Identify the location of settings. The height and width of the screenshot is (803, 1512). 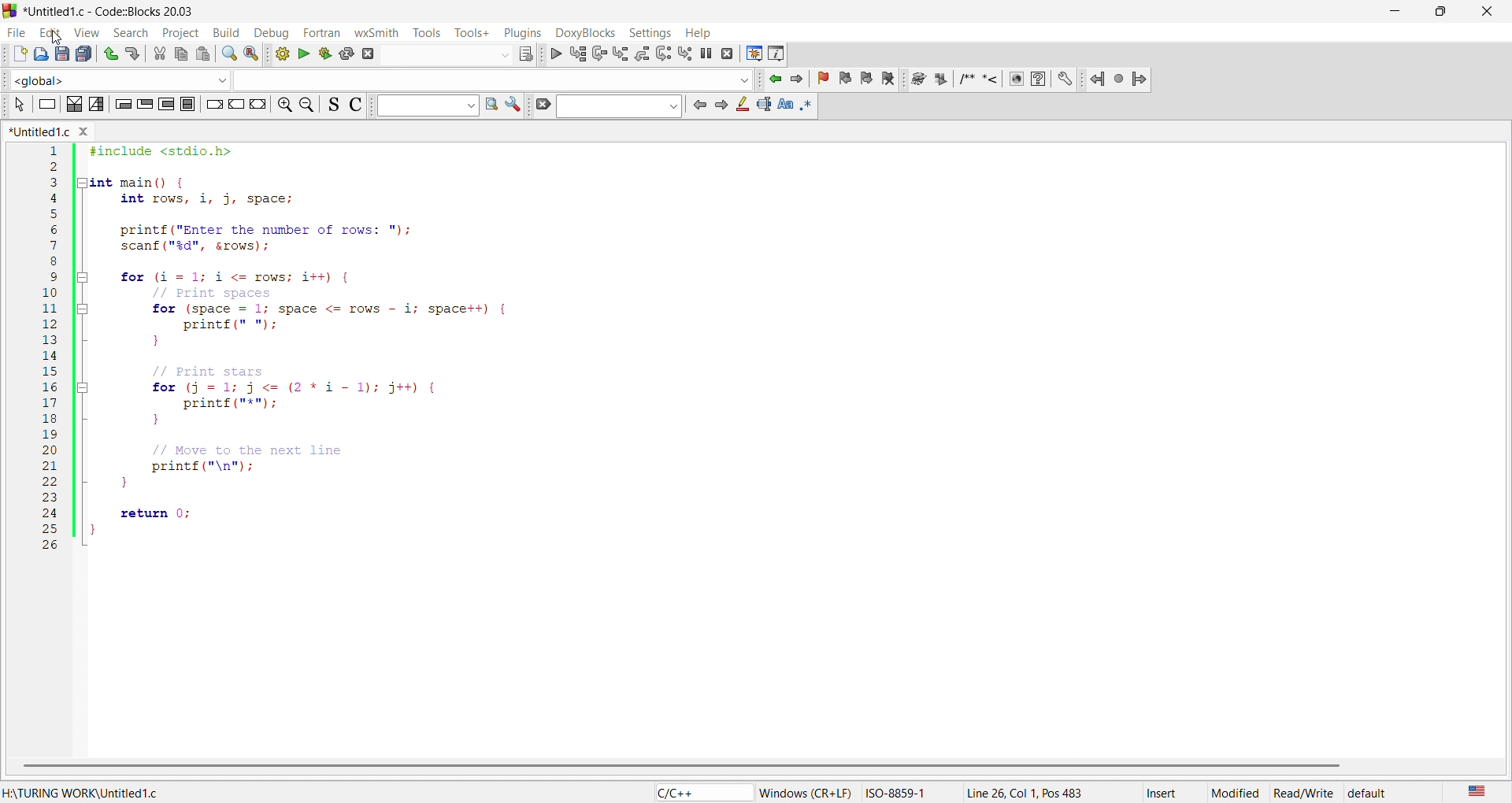
(650, 29).